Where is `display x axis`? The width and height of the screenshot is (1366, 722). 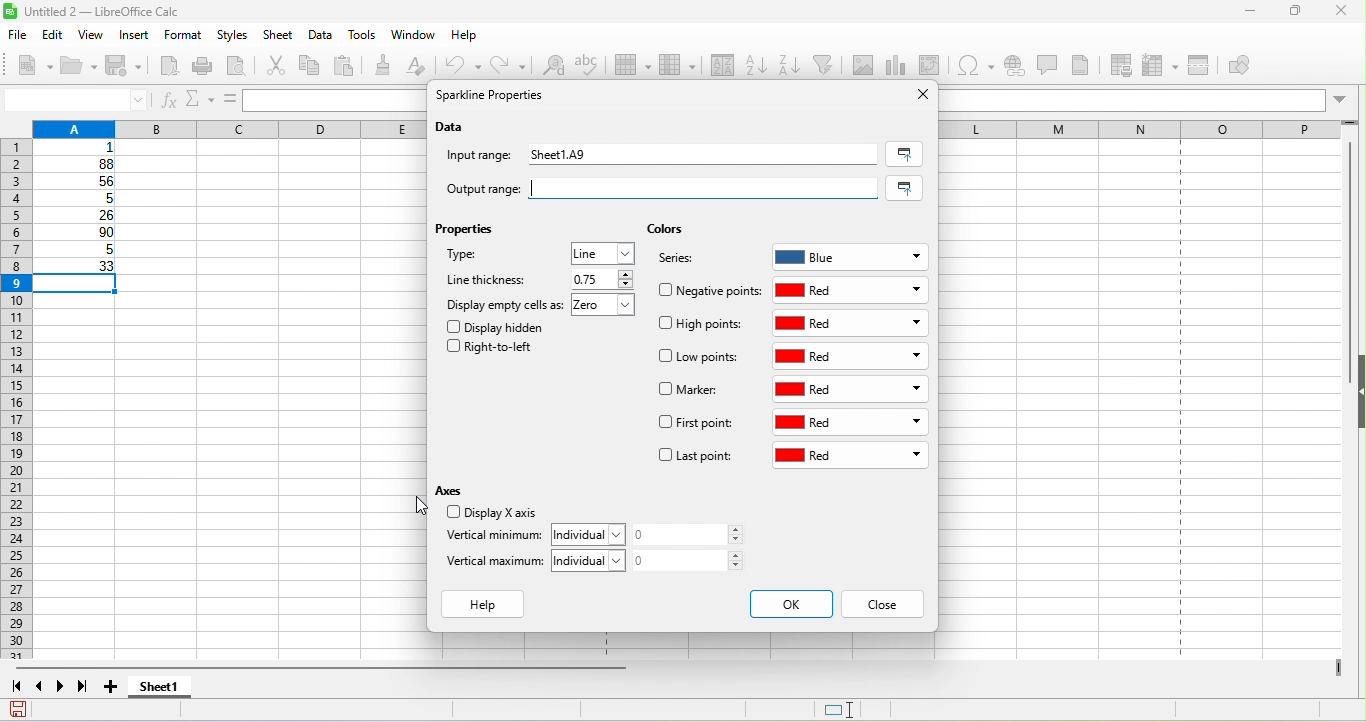
display x axis is located at coordinates (489, 514).